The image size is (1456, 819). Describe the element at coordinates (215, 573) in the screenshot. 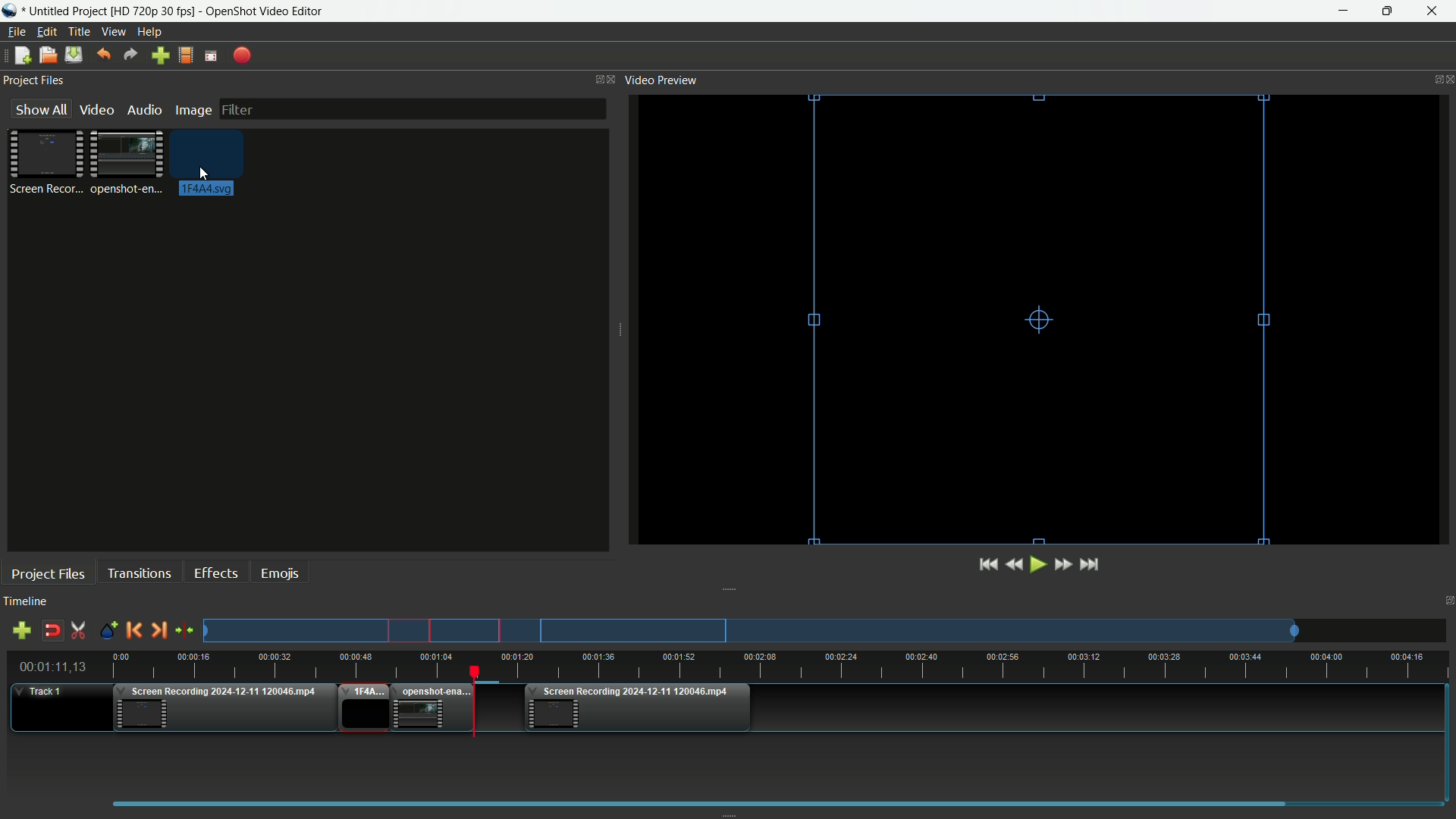

I see `Effects` at that location.